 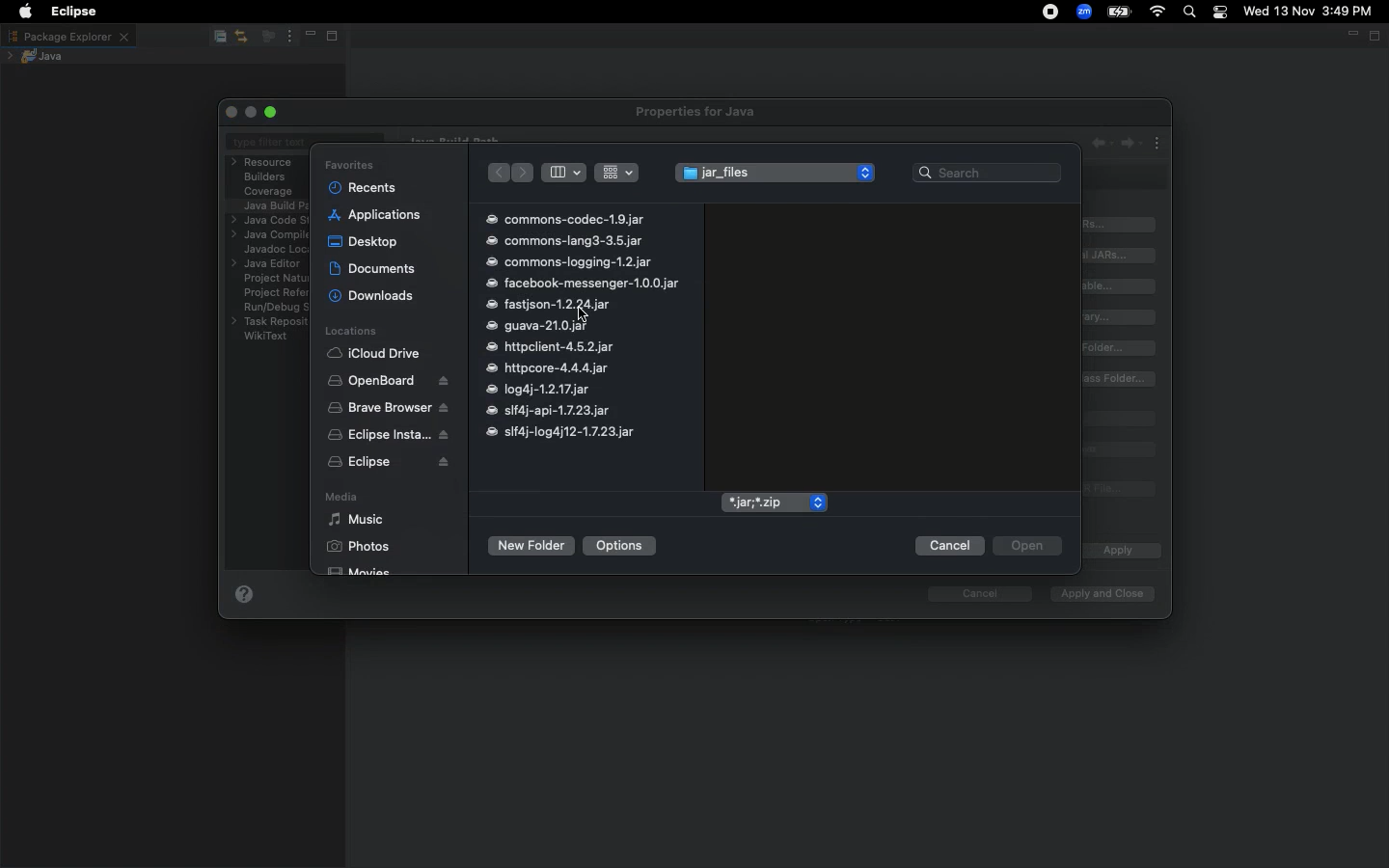 What do you see at coordinates (586, 312) in the screenshot?
I see `pointer cursor` at bounding box center [586, 312].